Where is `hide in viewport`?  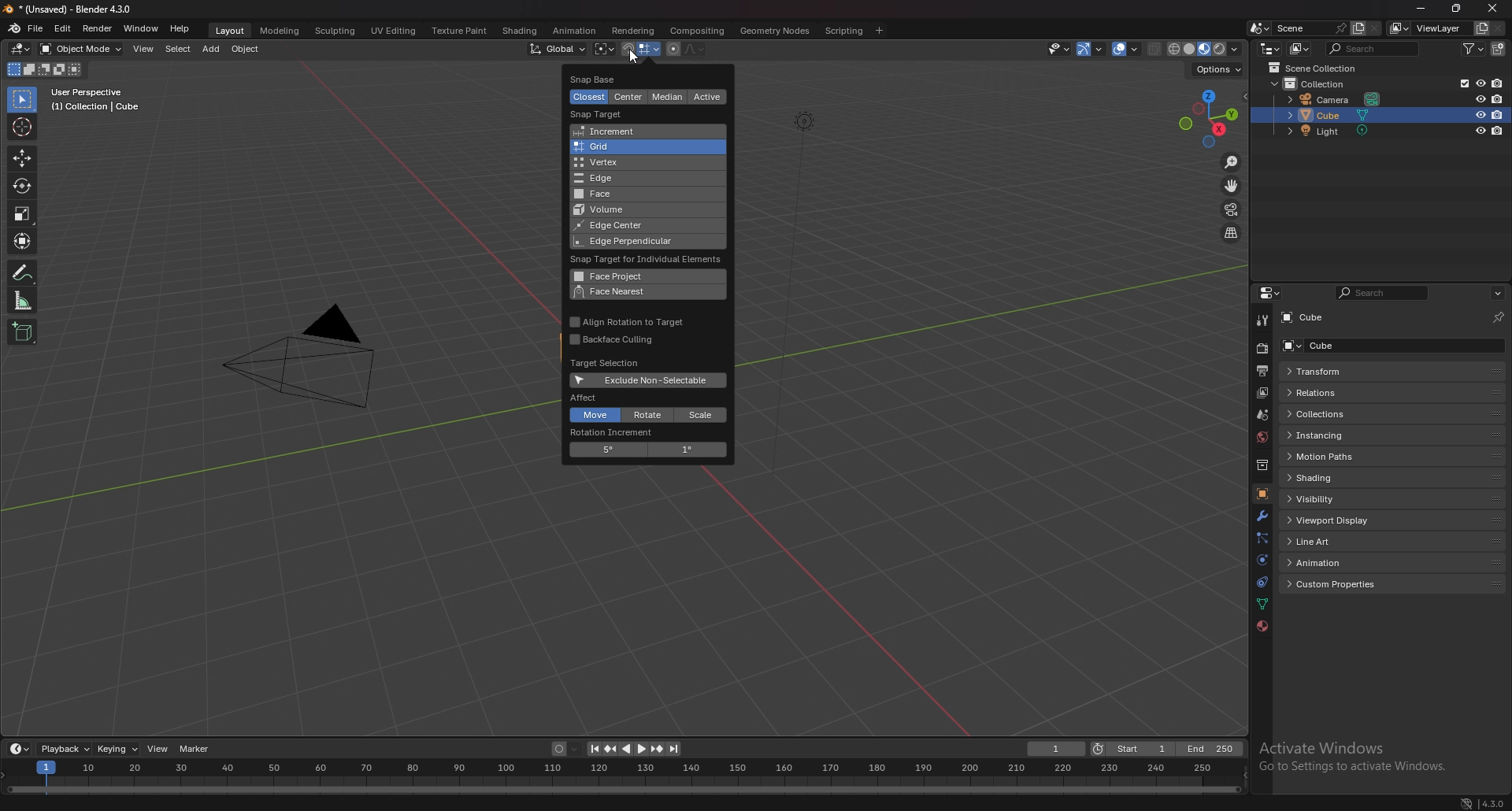
hide in viewport is located at coordinates (1479, 98).